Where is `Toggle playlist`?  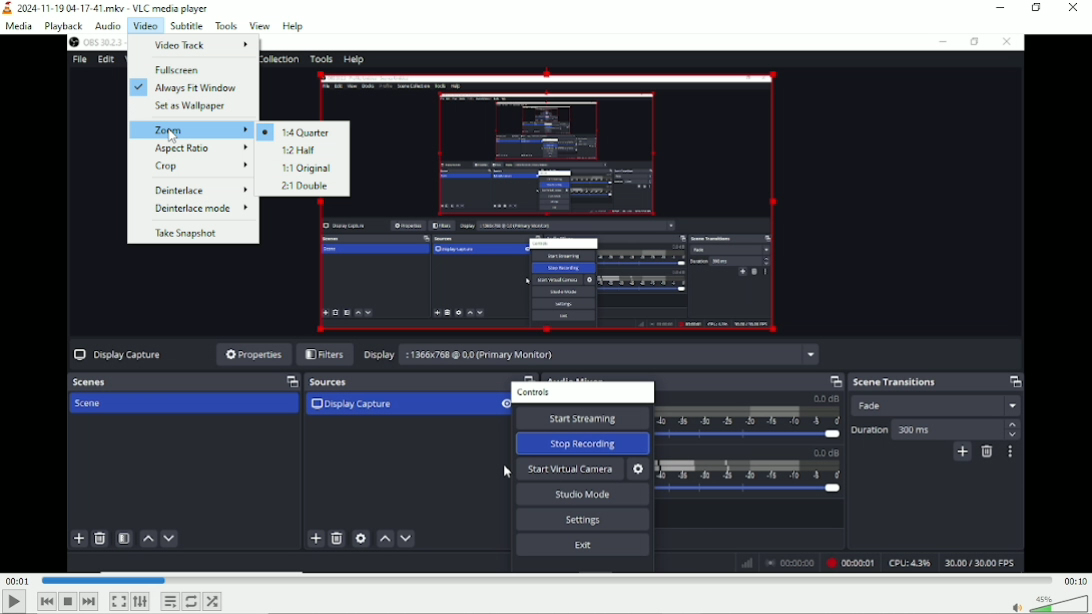 Toggle playlist is located at coordinates (170, 601).